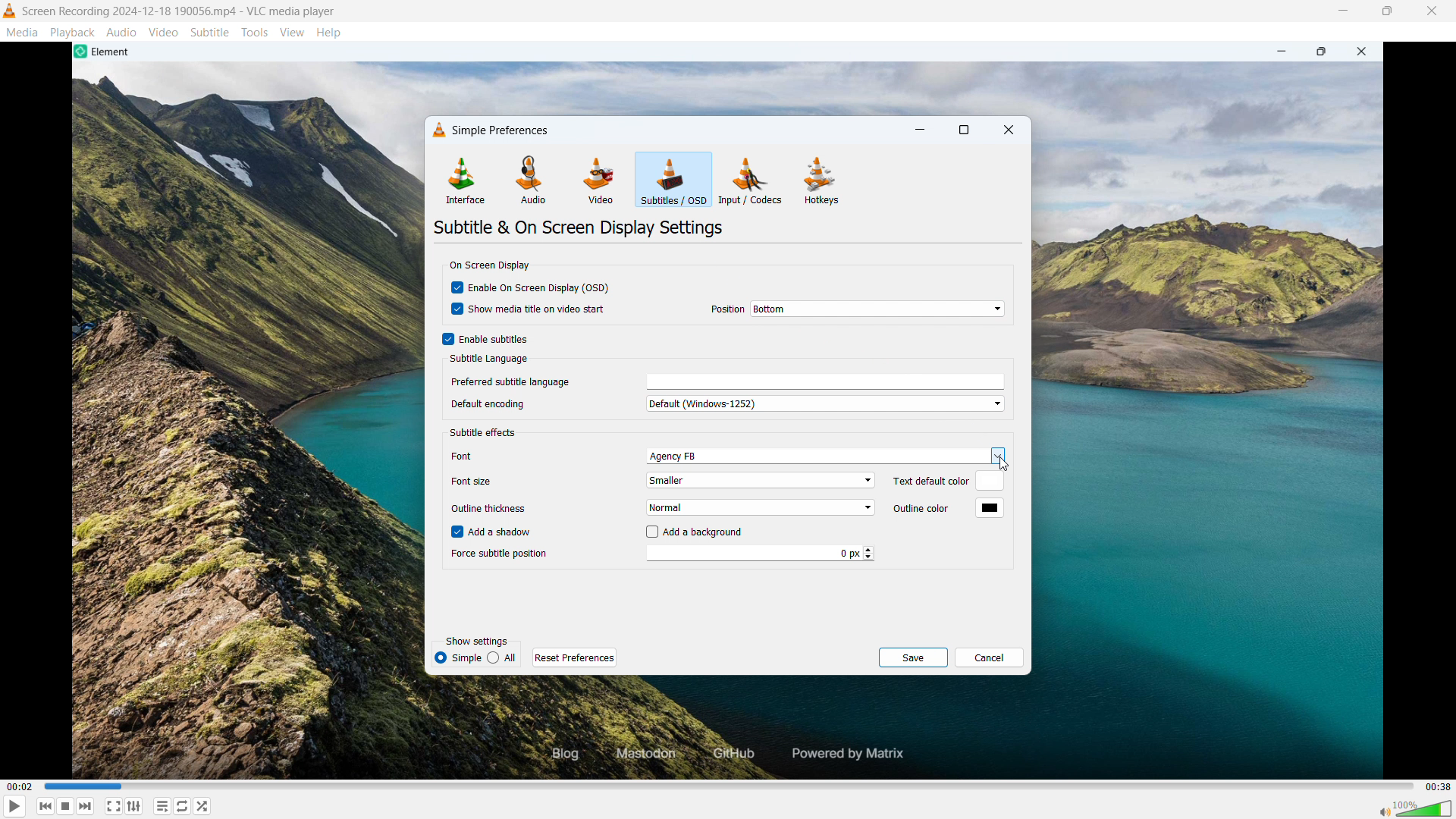  Describe the element at coordinates (134, 806) in the screenshot. I see `toggle playlist` at that location.